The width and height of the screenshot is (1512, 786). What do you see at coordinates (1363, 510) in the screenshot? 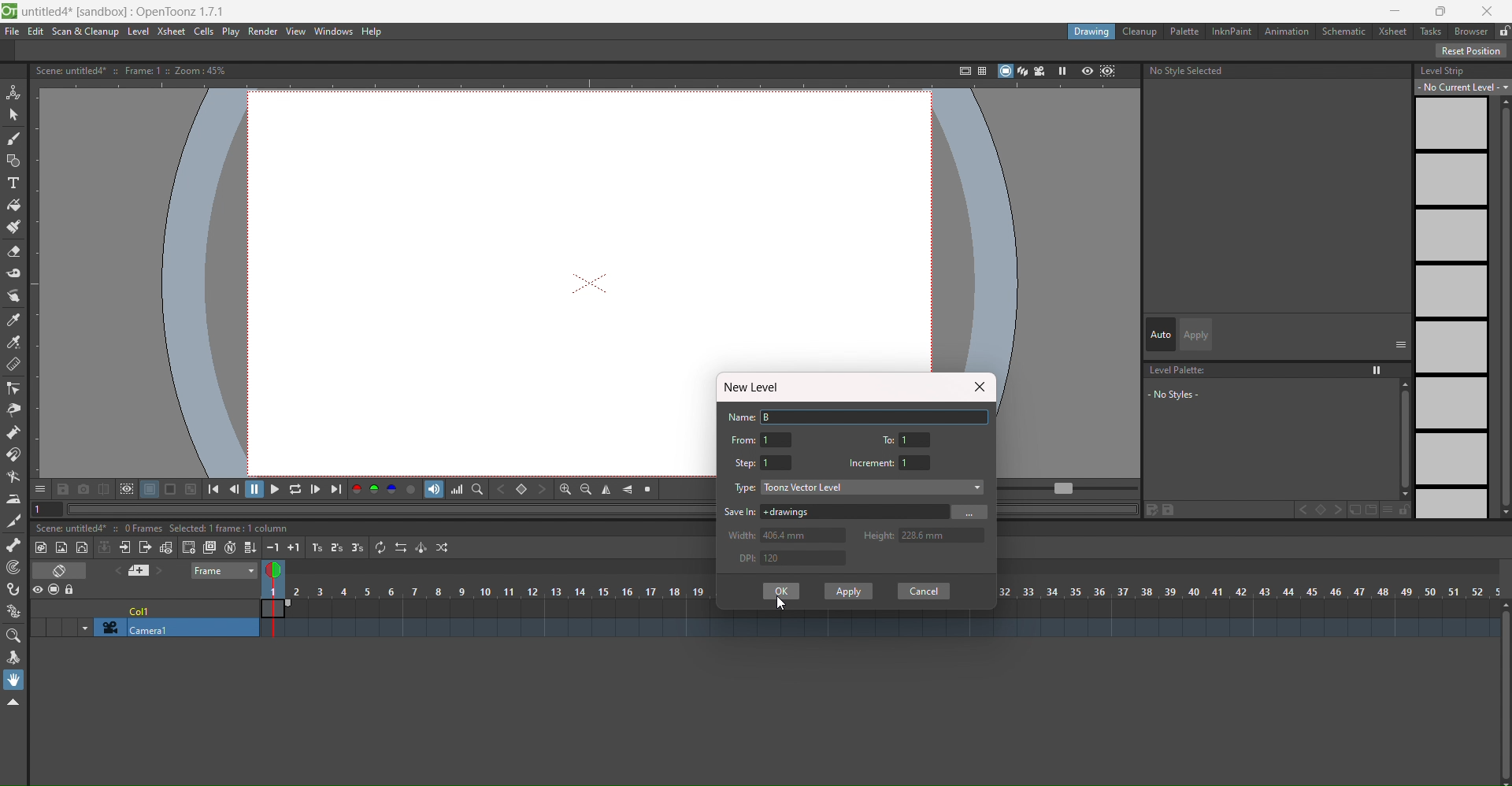
I see `file and folder` at bounding box center [1363, 510].